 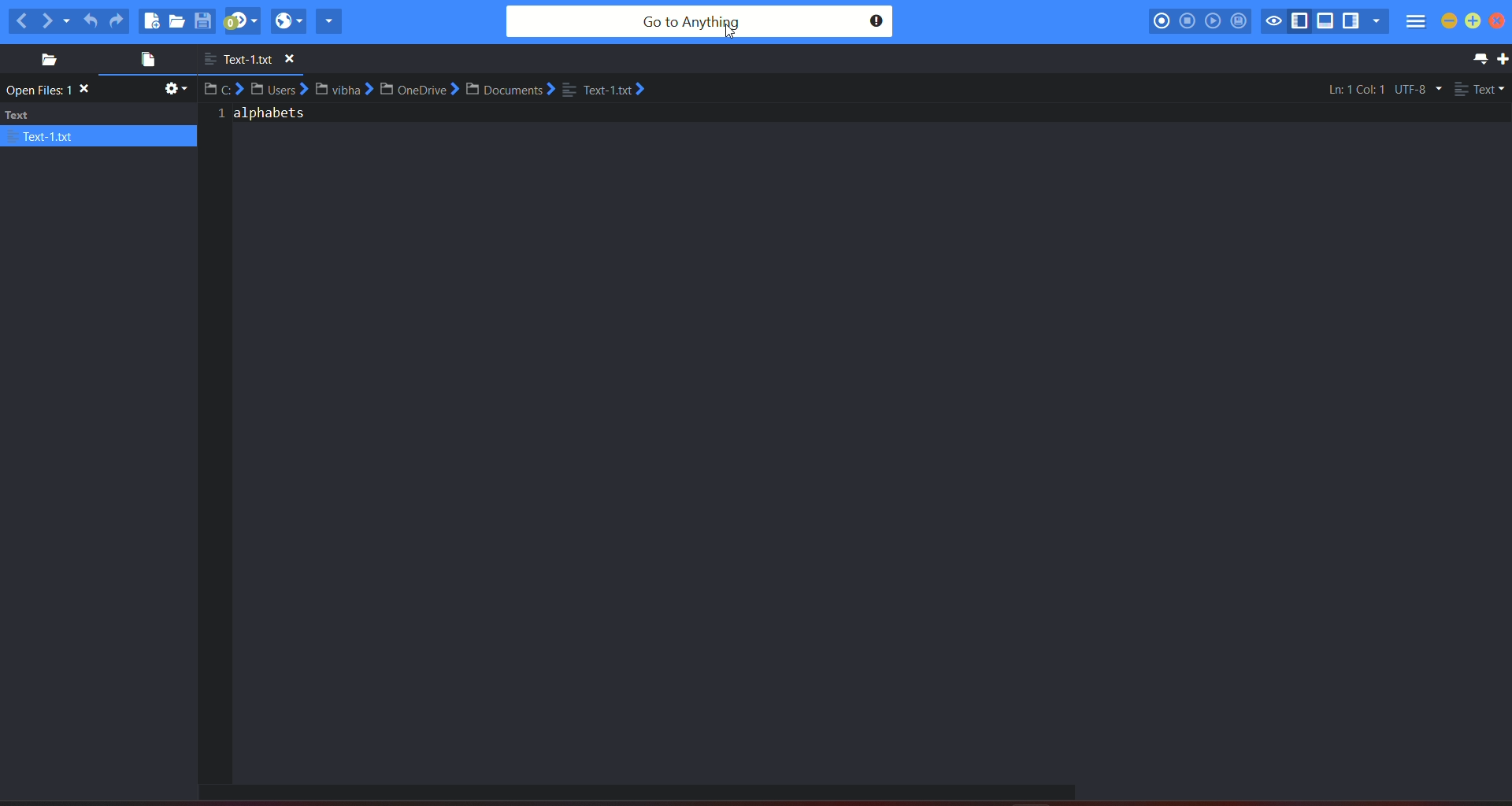 I want to click on show specific sidebar, so click(x=1376, y=21).